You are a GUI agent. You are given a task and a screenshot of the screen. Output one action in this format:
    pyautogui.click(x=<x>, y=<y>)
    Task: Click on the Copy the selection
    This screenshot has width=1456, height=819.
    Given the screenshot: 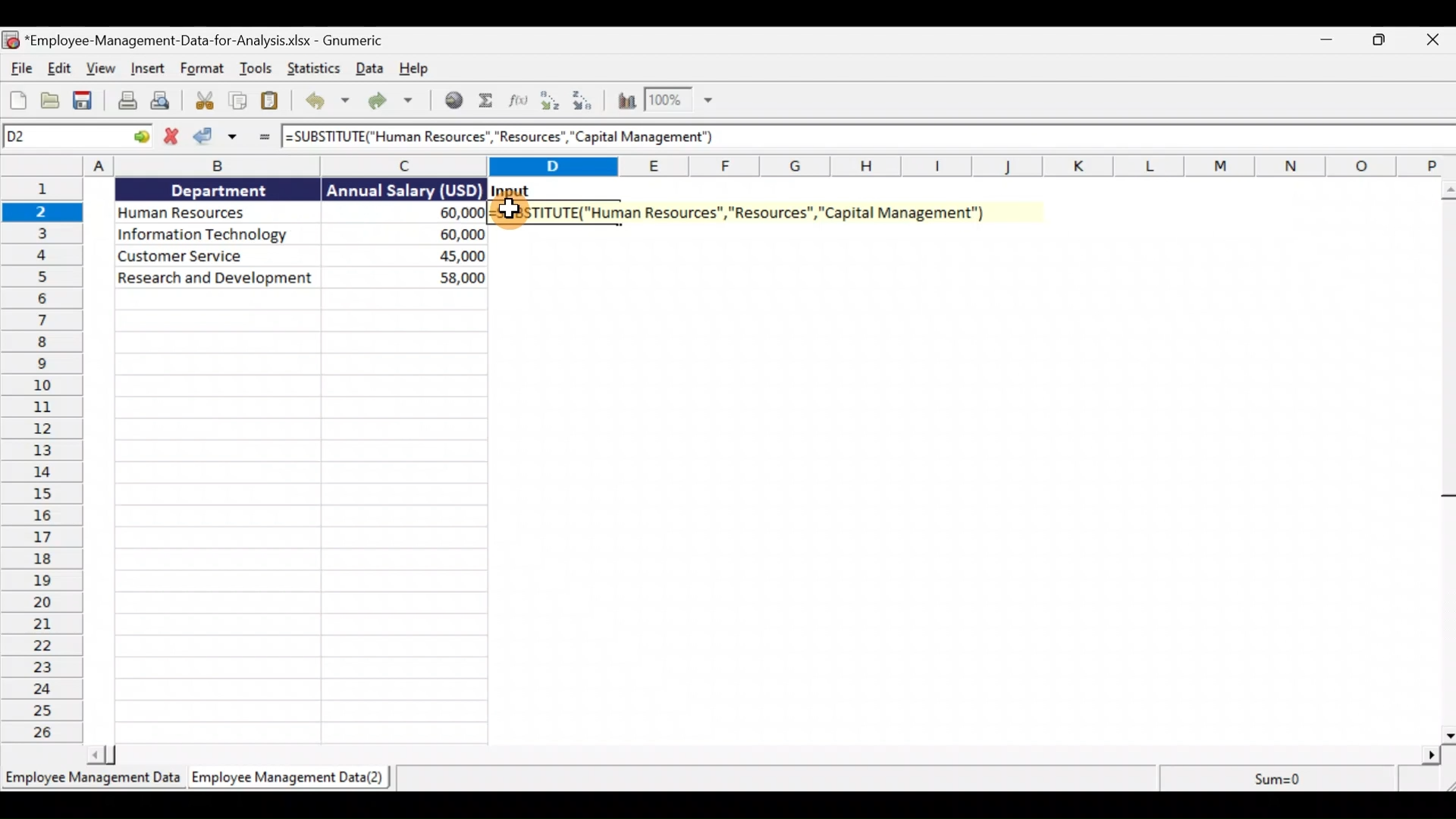 What is the action you would take?
    pyautogui.click(x=239, y=100)
    